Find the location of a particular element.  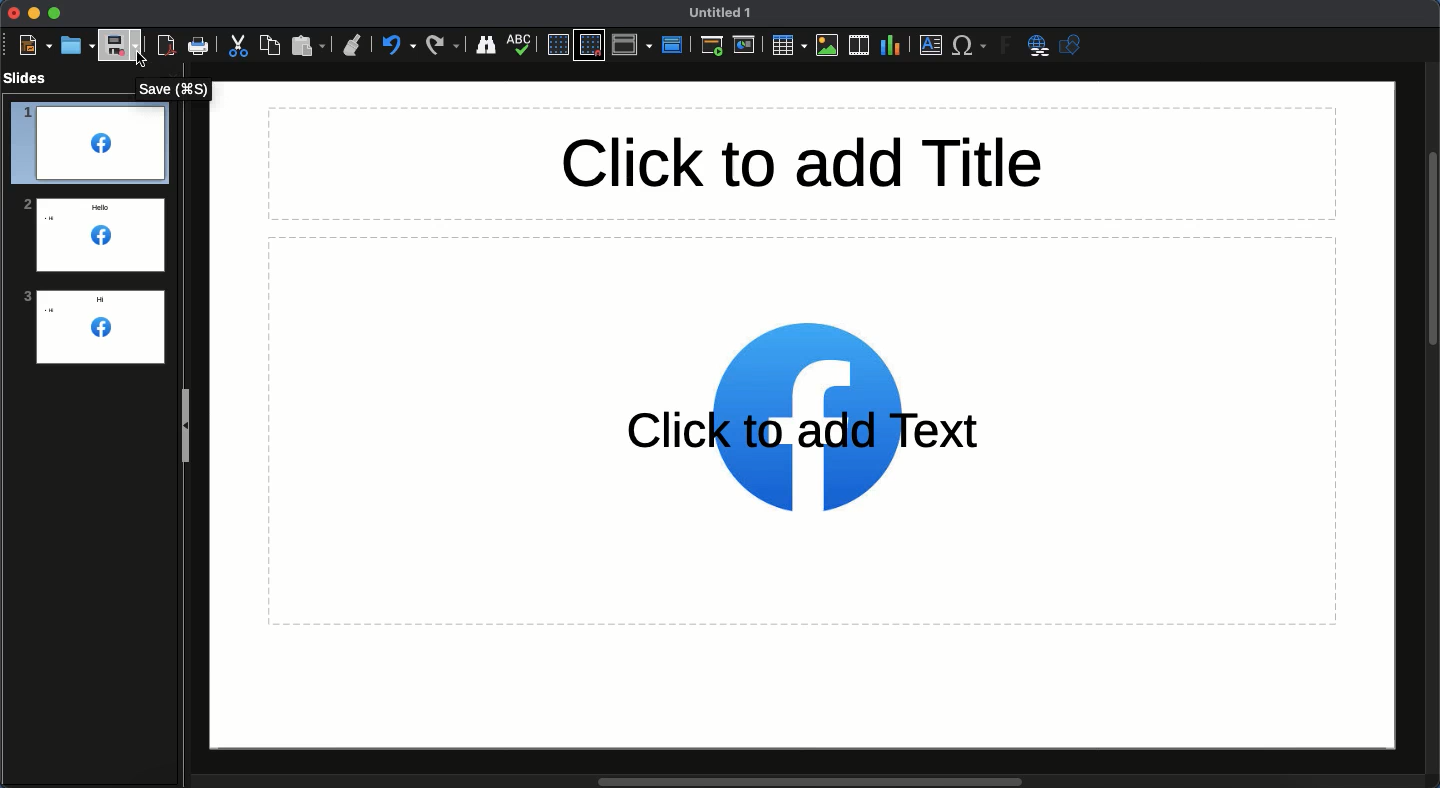

Display views is located at coordinates (632, 45).